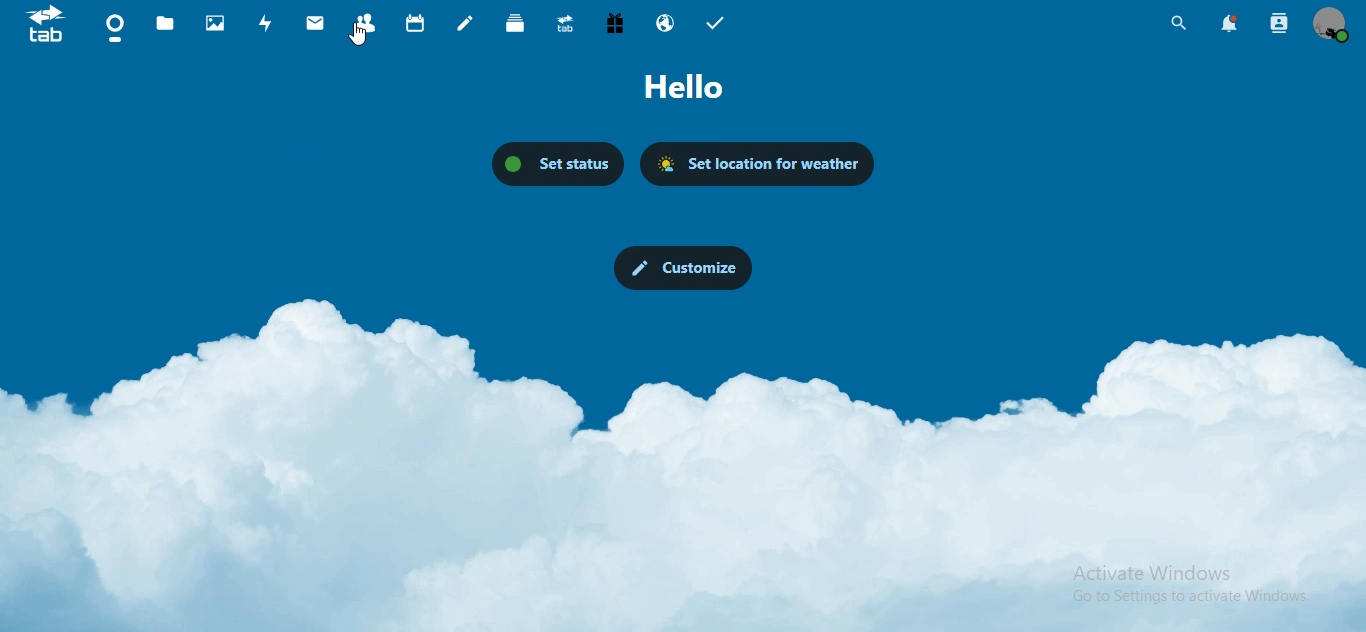  I want to click on customize, so click(684, 268).